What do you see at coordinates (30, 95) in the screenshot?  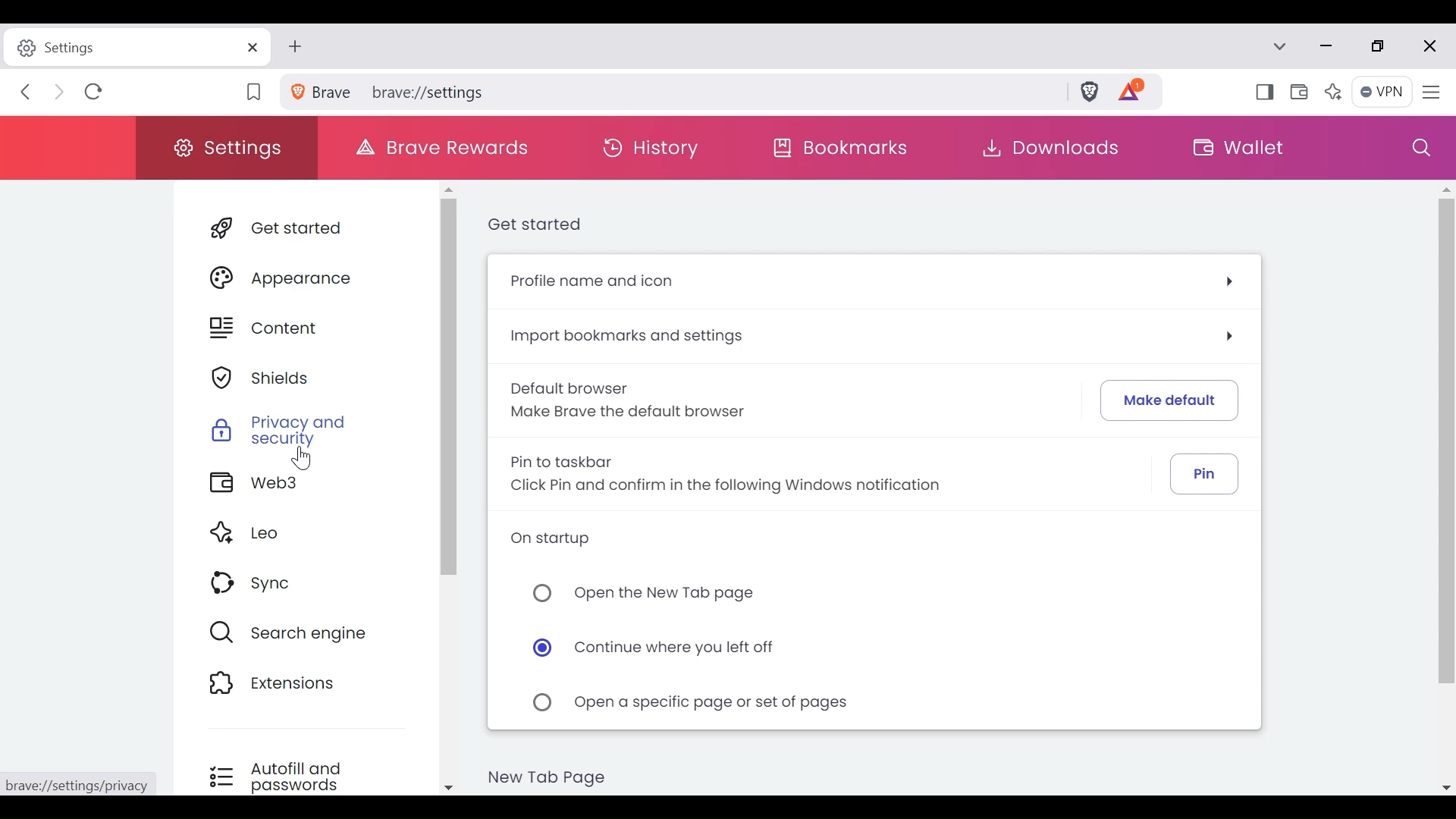 I see `Click to Go Back` at bounding box center [30, 95].